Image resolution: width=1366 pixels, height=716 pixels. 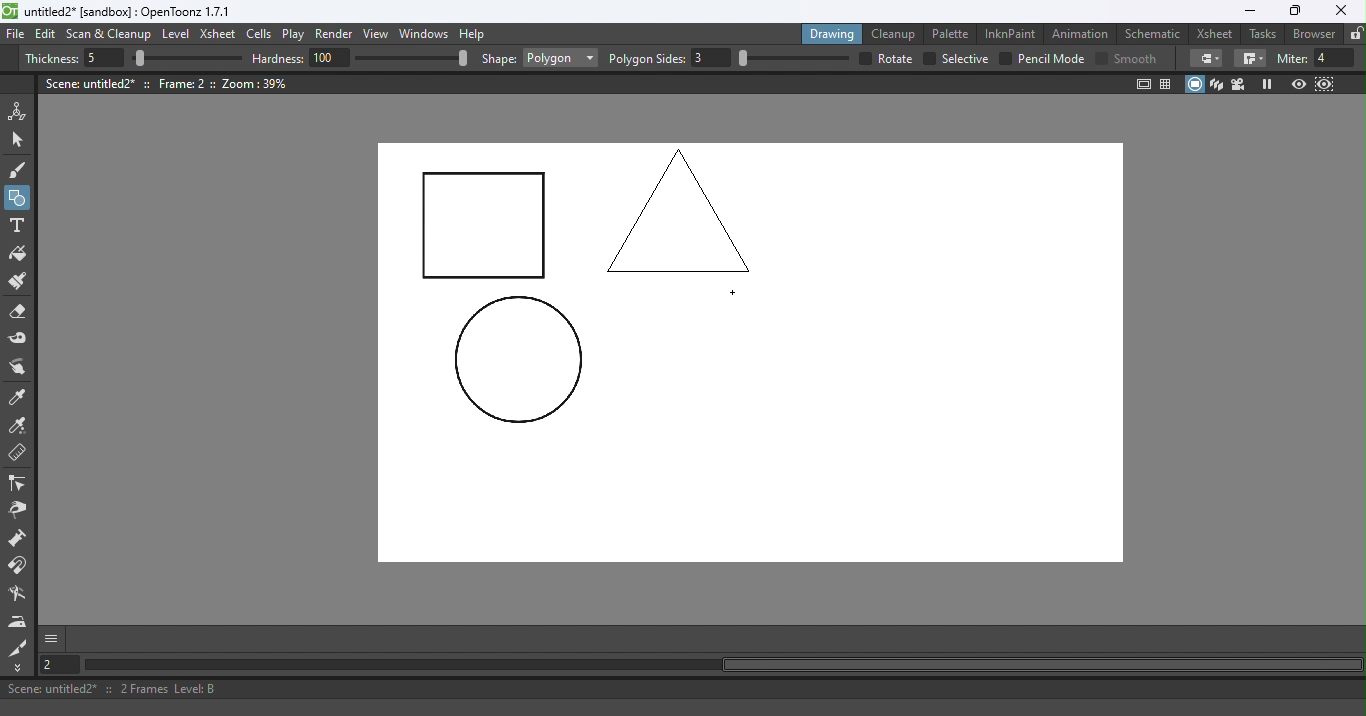 What do you see at coordinates (518, 361) in the screenshot?
I see `circle` at bounding box center [518, 361].